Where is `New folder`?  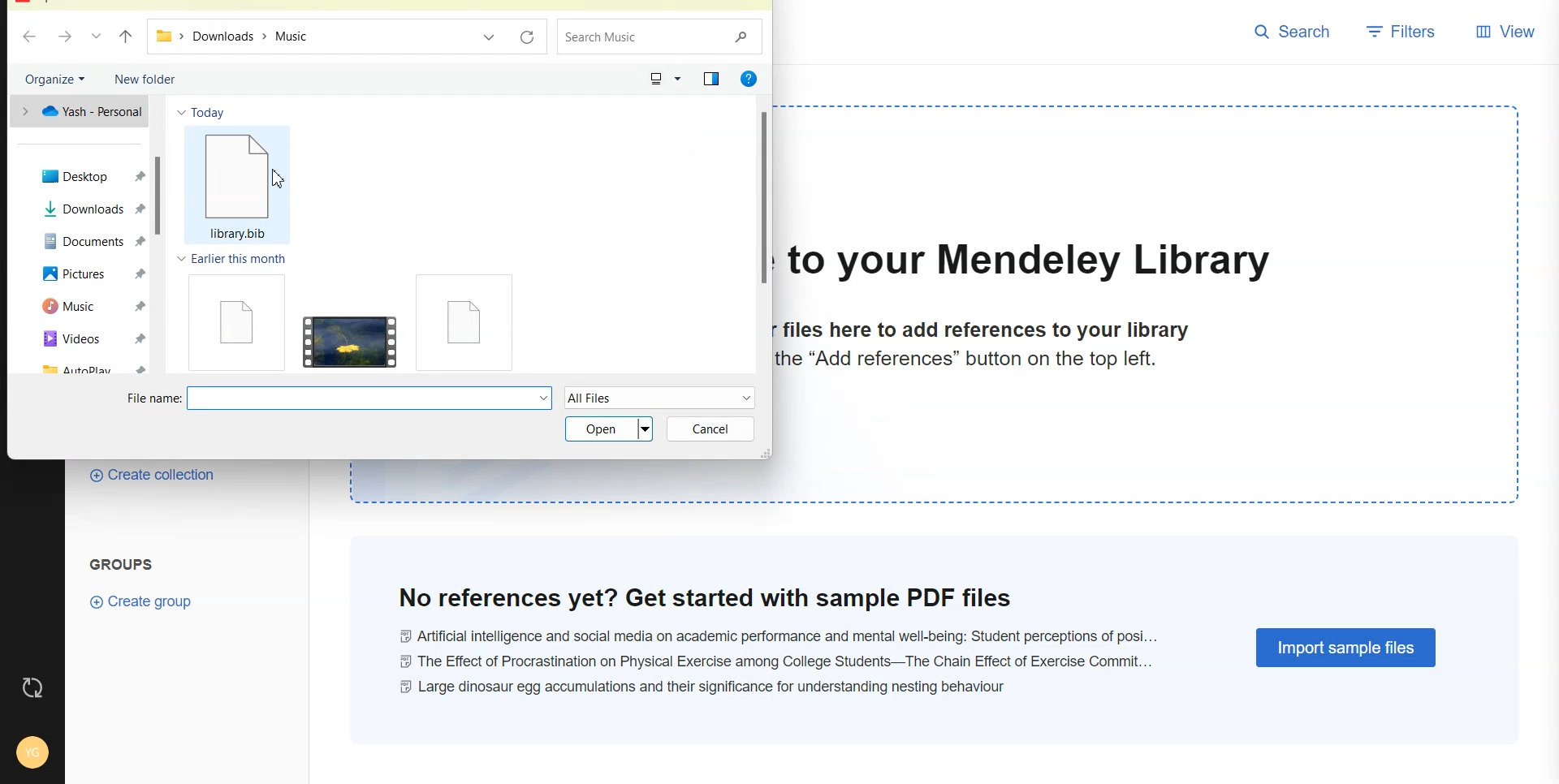
New folder is located at coordinates (146, 80).